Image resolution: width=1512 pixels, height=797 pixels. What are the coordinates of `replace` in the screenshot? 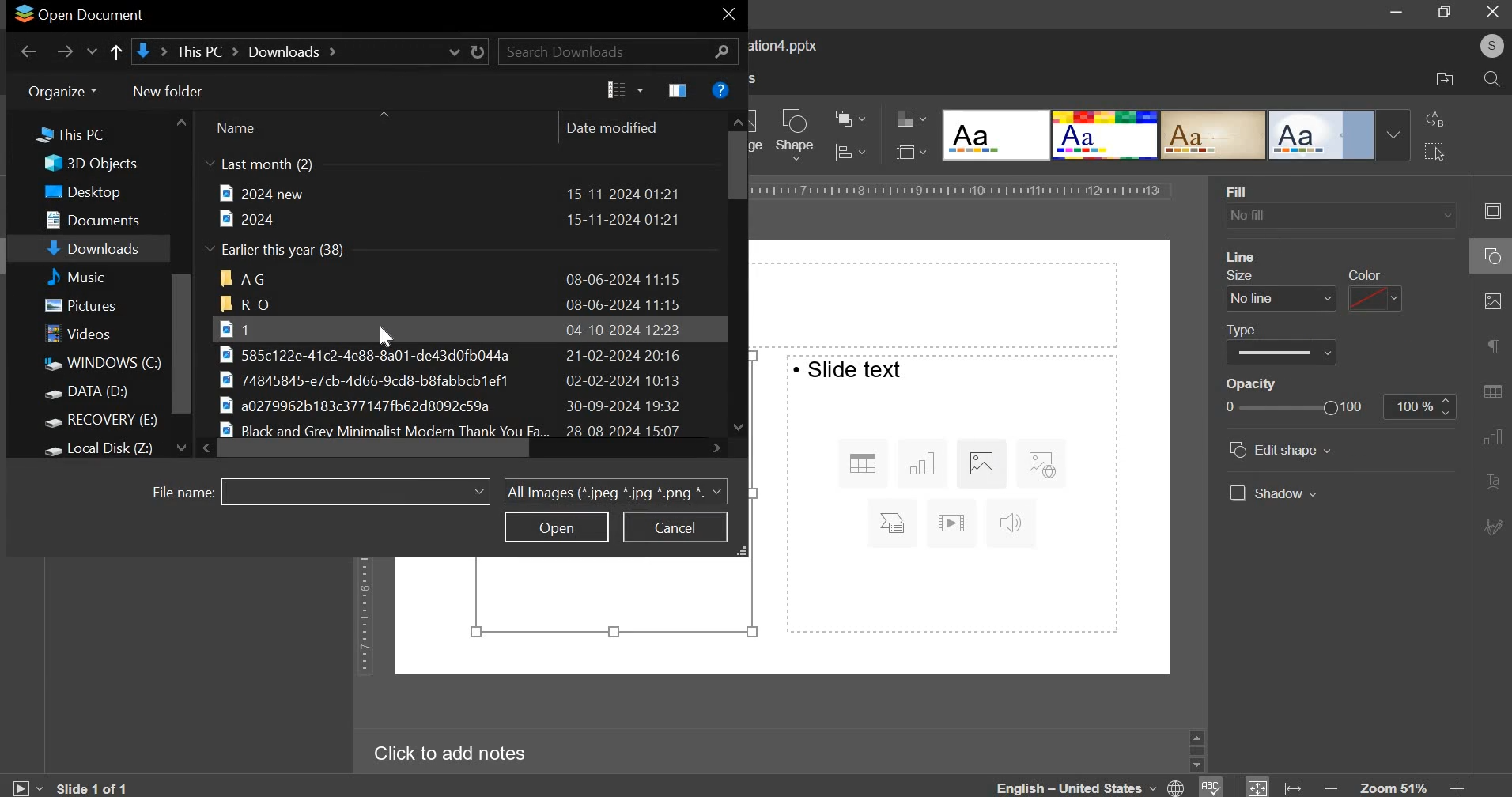 It's located at (1435, 119).